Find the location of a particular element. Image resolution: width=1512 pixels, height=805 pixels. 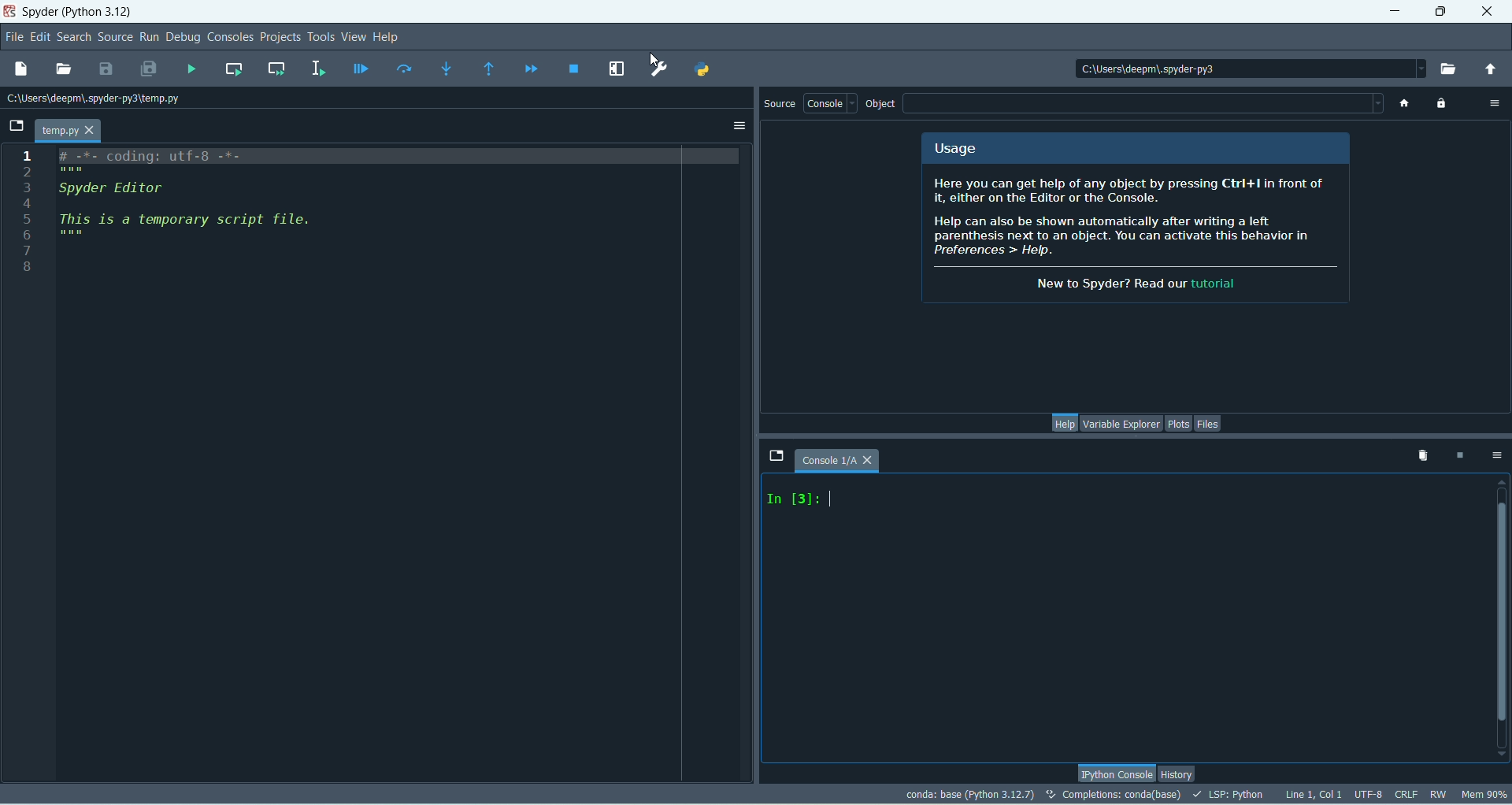

files is located at coordinates (1209, 423).